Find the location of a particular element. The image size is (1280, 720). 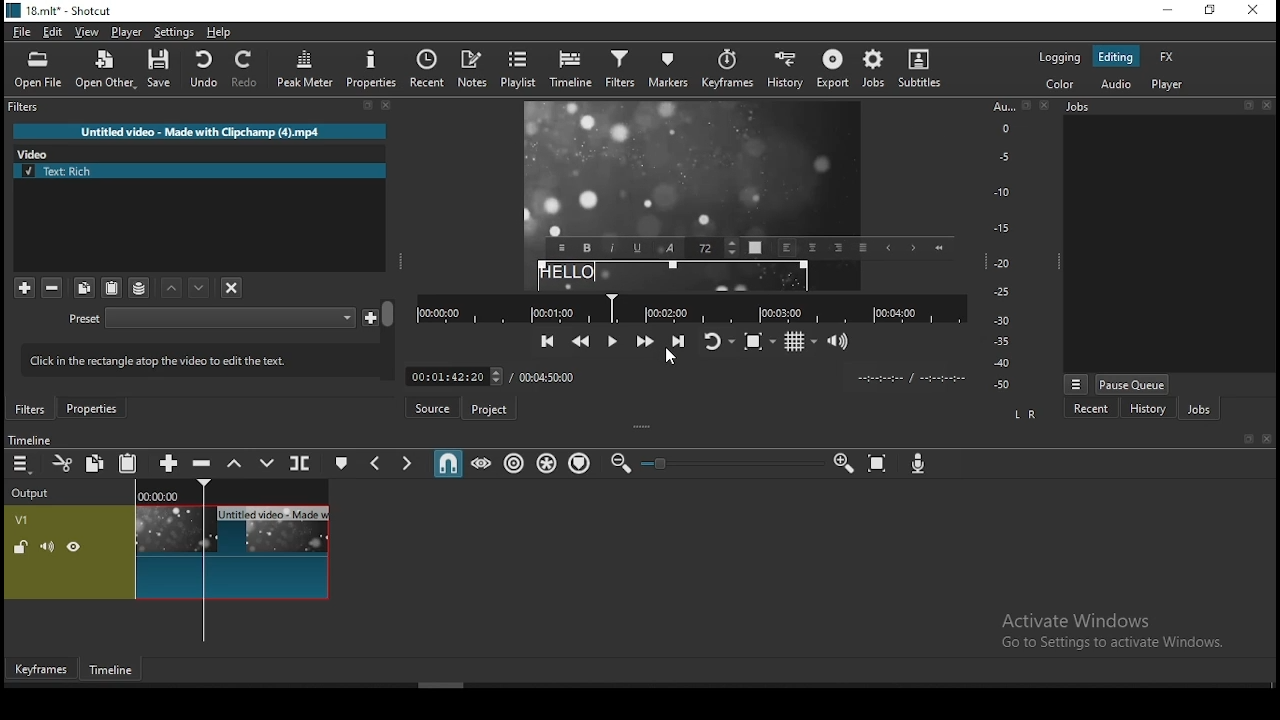

deselect filters is located at coordinates (230, 286).